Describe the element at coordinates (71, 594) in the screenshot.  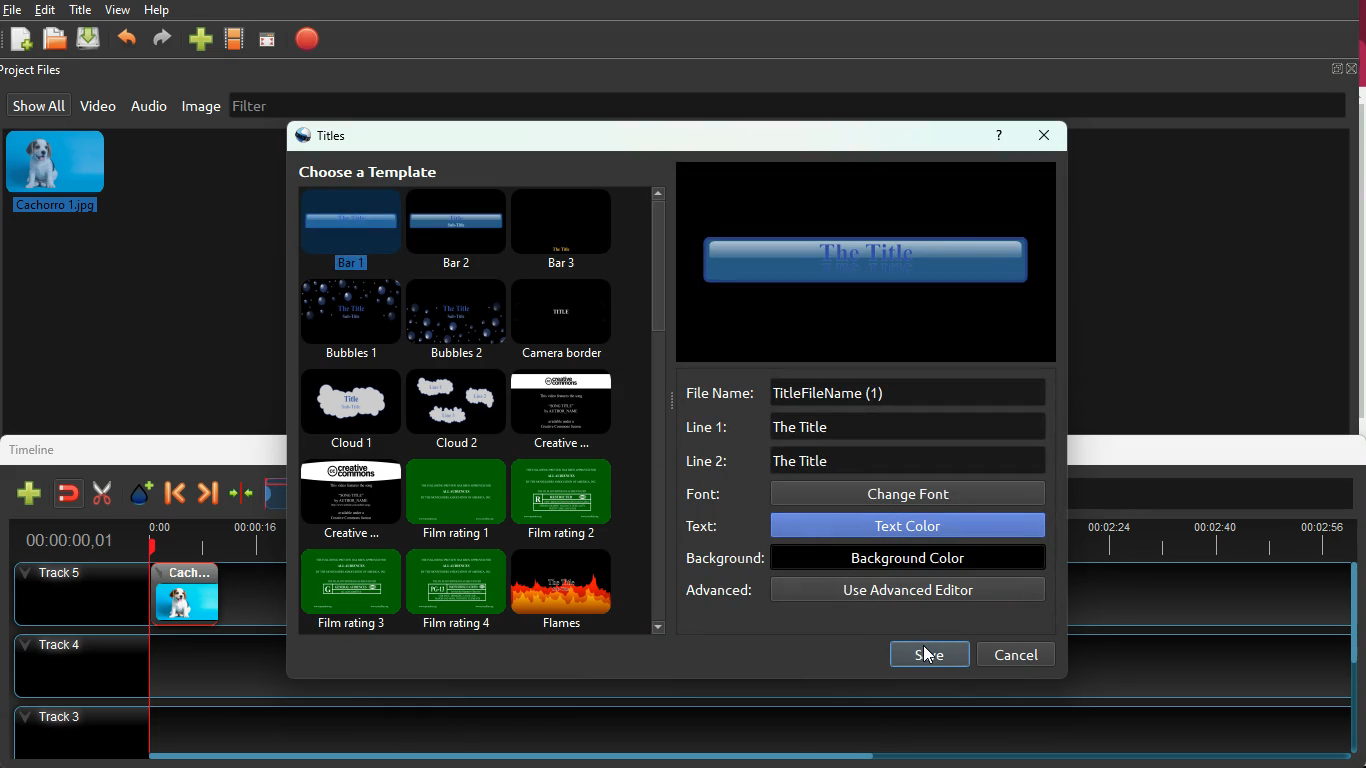
I see `` at that location.